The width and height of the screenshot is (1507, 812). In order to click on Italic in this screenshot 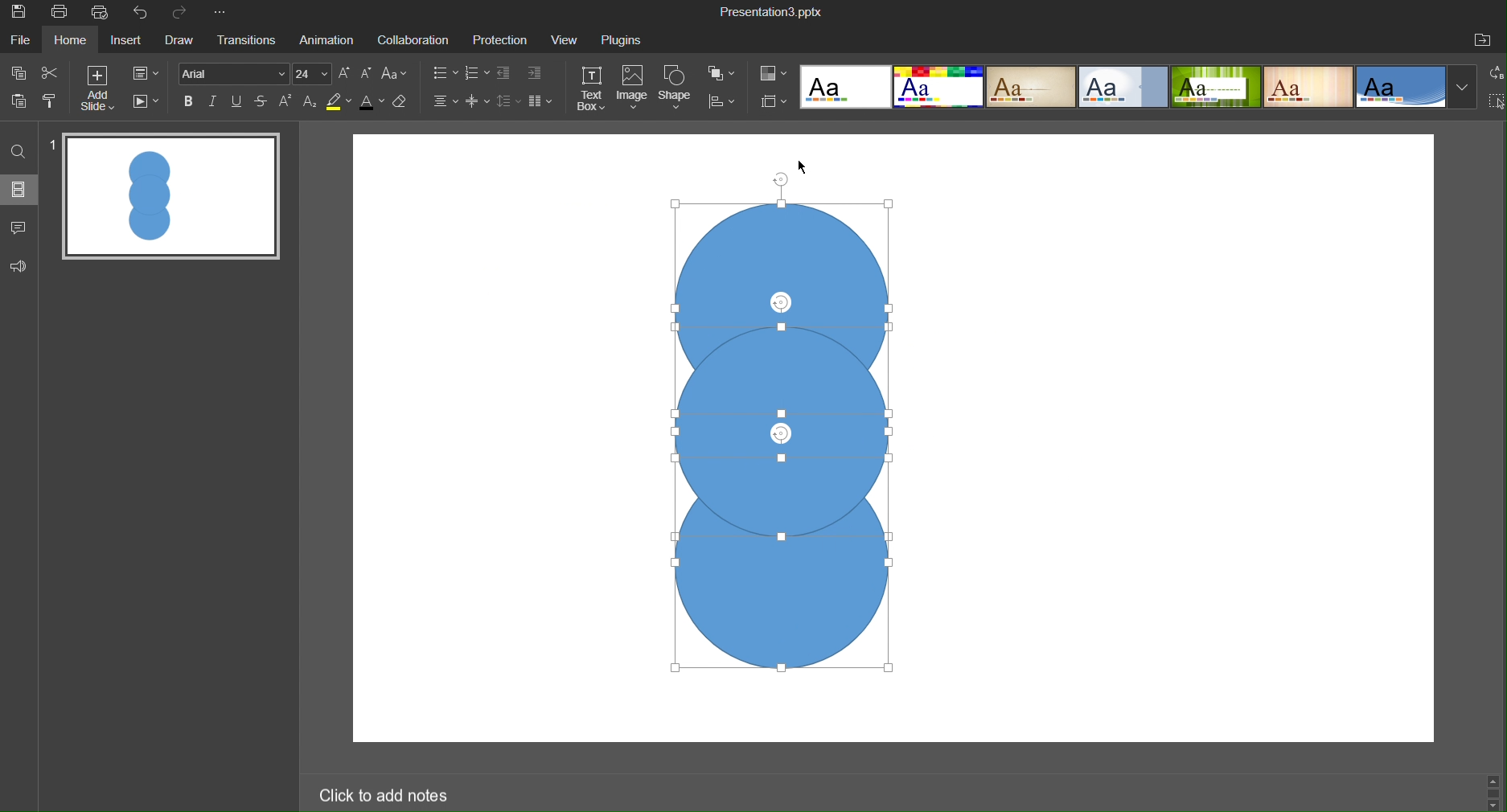, I will do `click(216, 101)`.